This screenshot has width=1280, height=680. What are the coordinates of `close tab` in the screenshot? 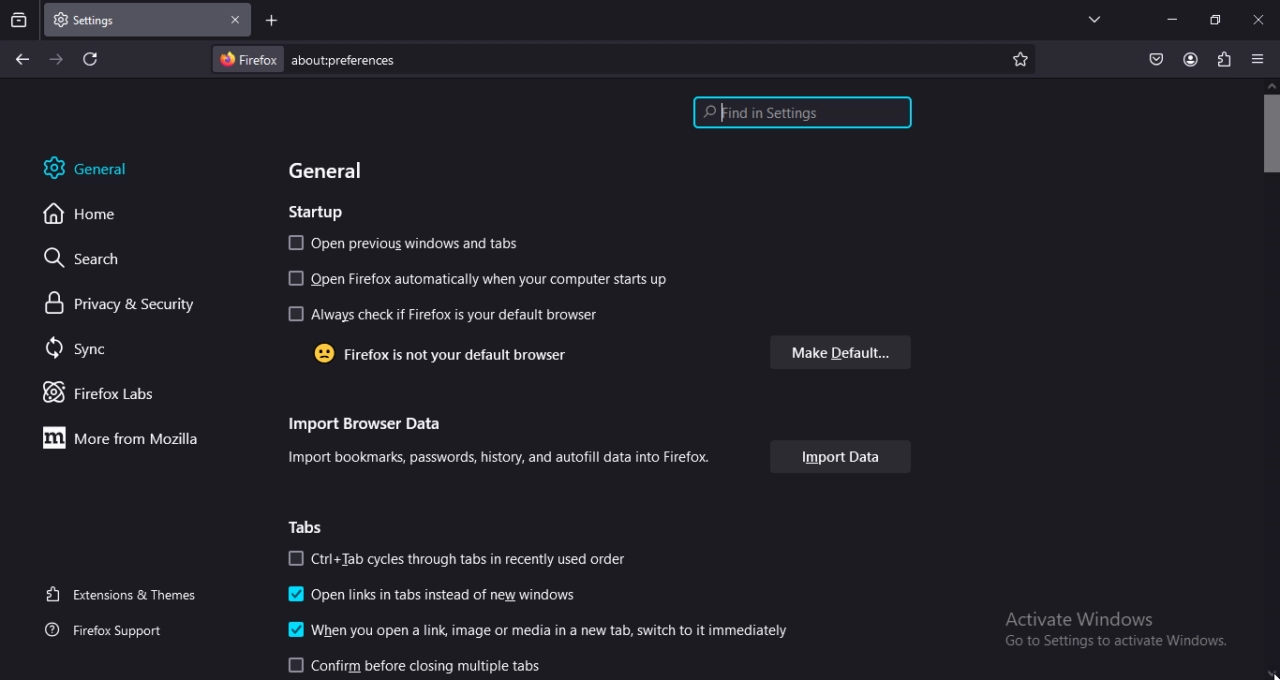 It's located at (232, 20).